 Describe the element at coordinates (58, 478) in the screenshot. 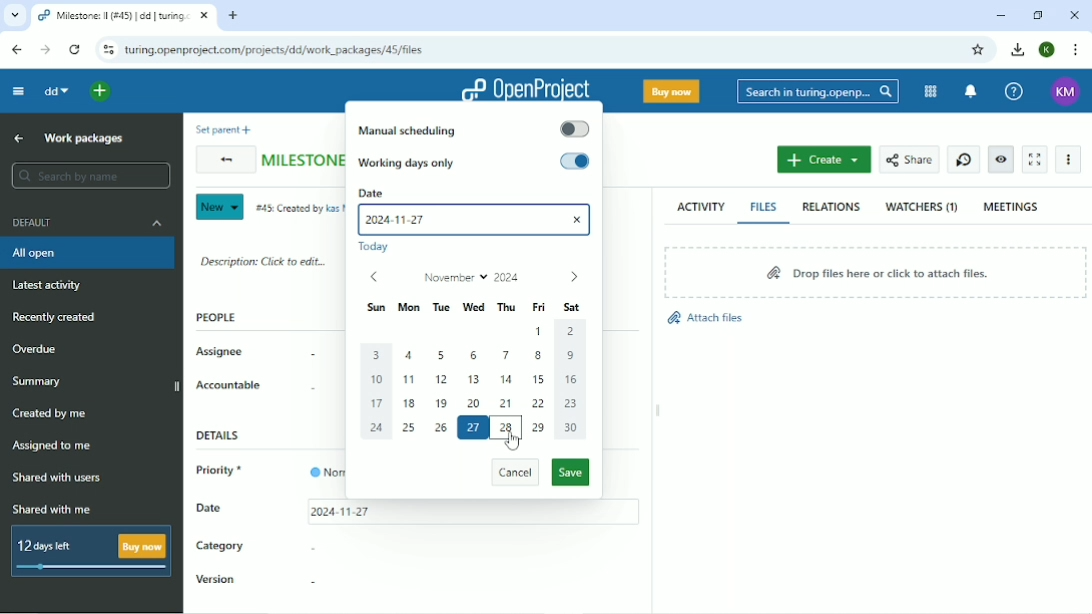

I see `Shared with users` at that location.